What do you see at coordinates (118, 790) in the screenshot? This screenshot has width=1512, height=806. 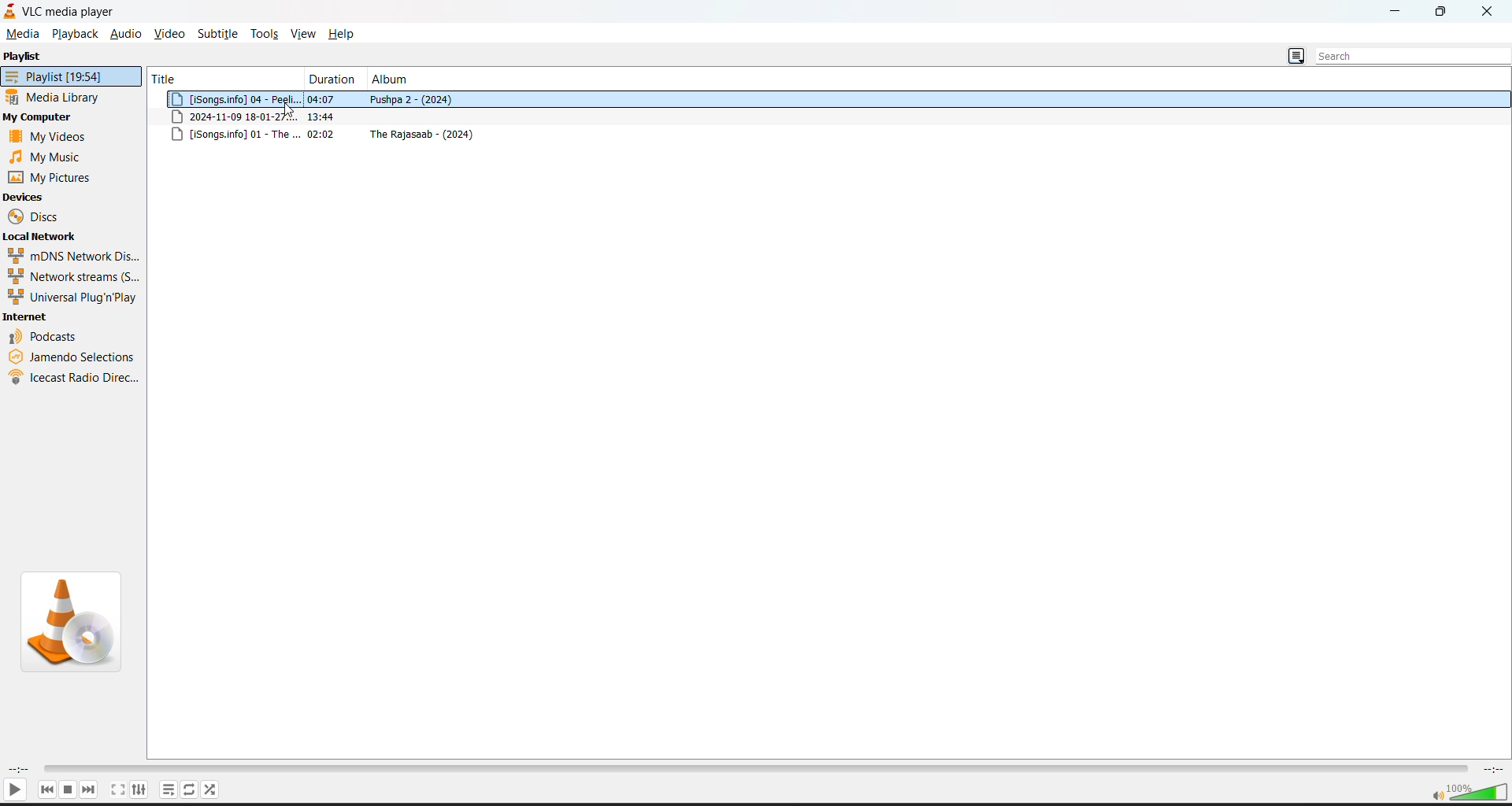 I see `toggle fullscreen` at bounding box center [118, 790].